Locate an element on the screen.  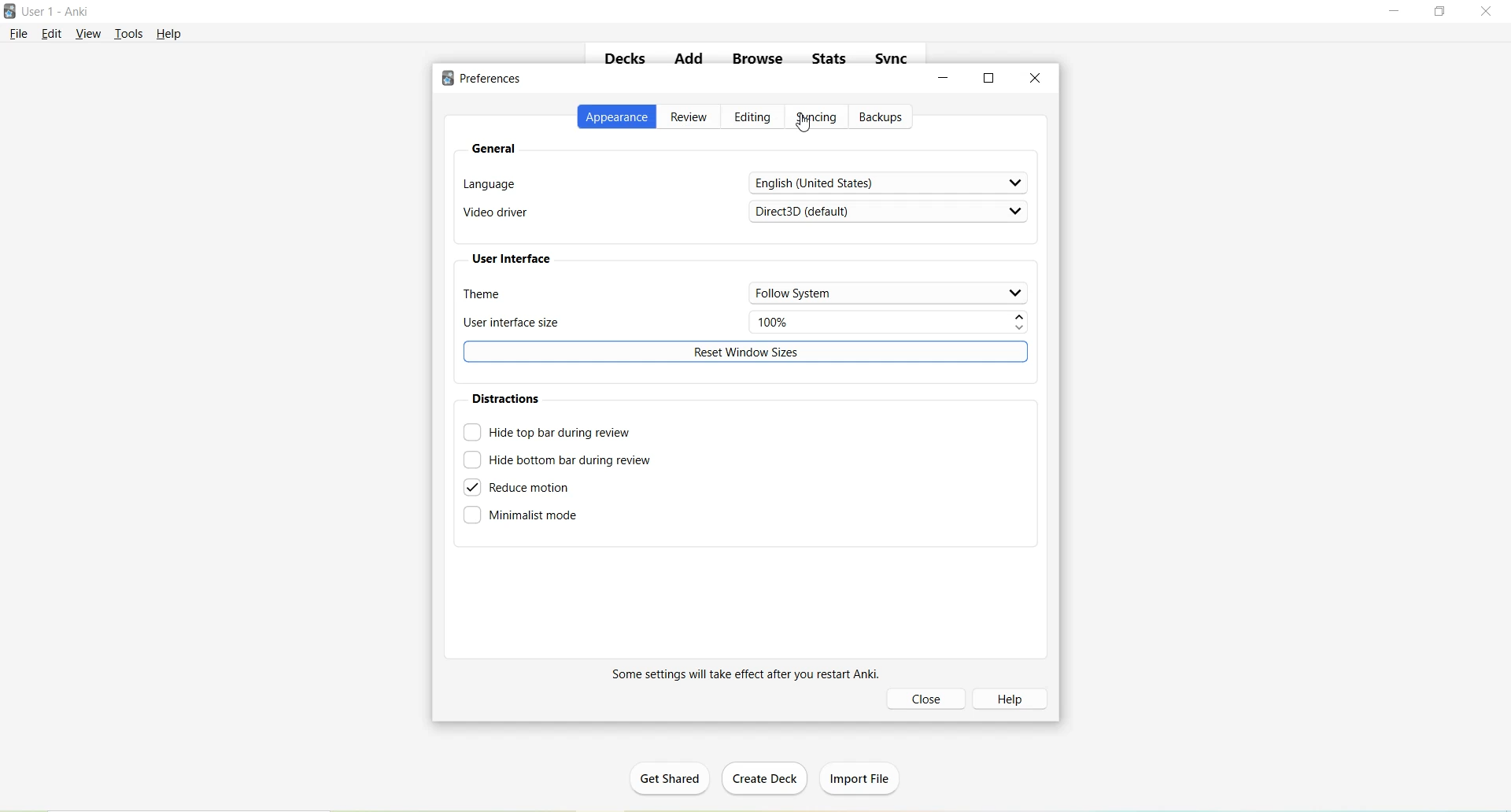
Reduce motion is located at coordinates (522, 488).